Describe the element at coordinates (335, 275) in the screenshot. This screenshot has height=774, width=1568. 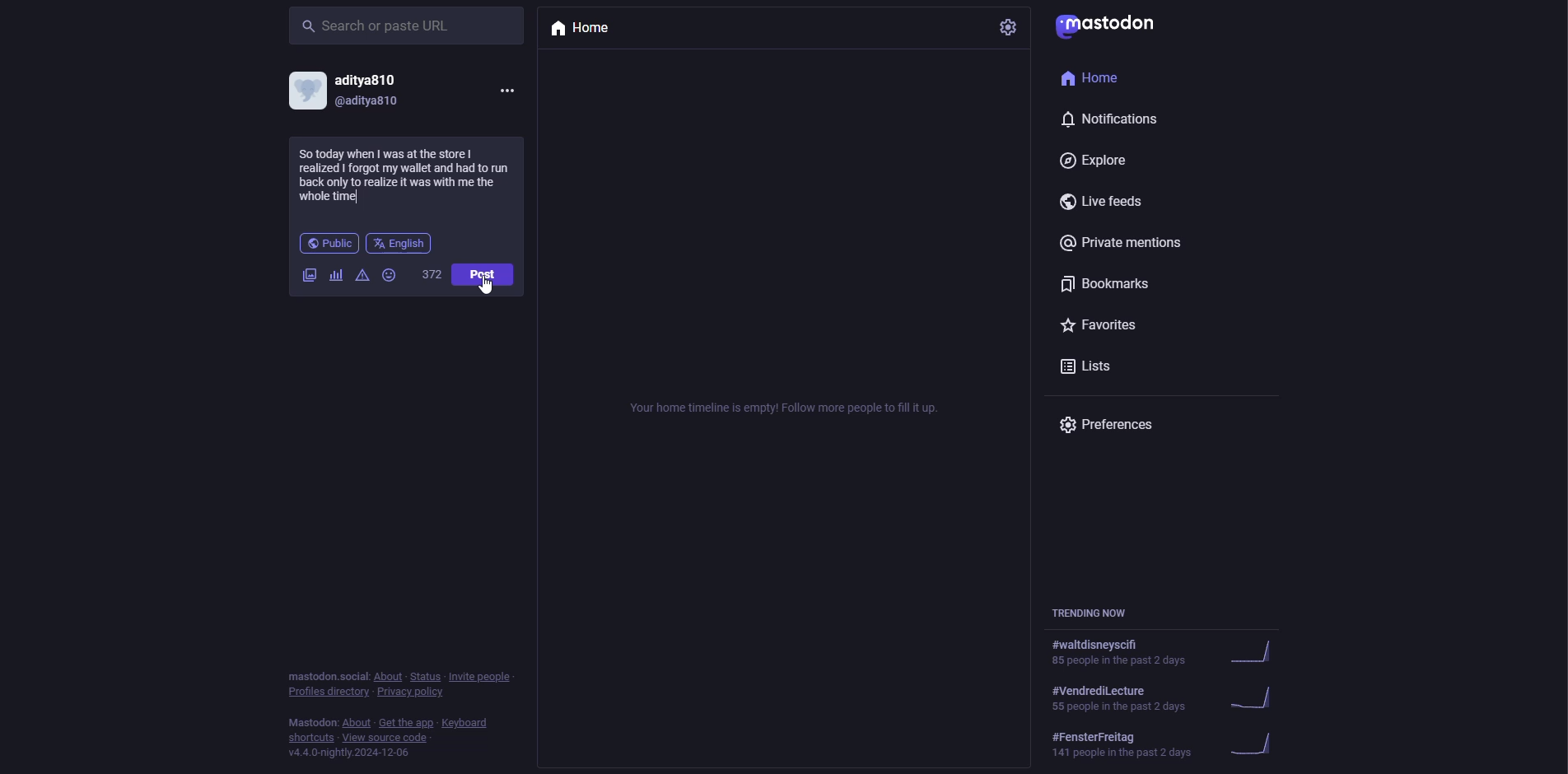
I see `polls` at that location.